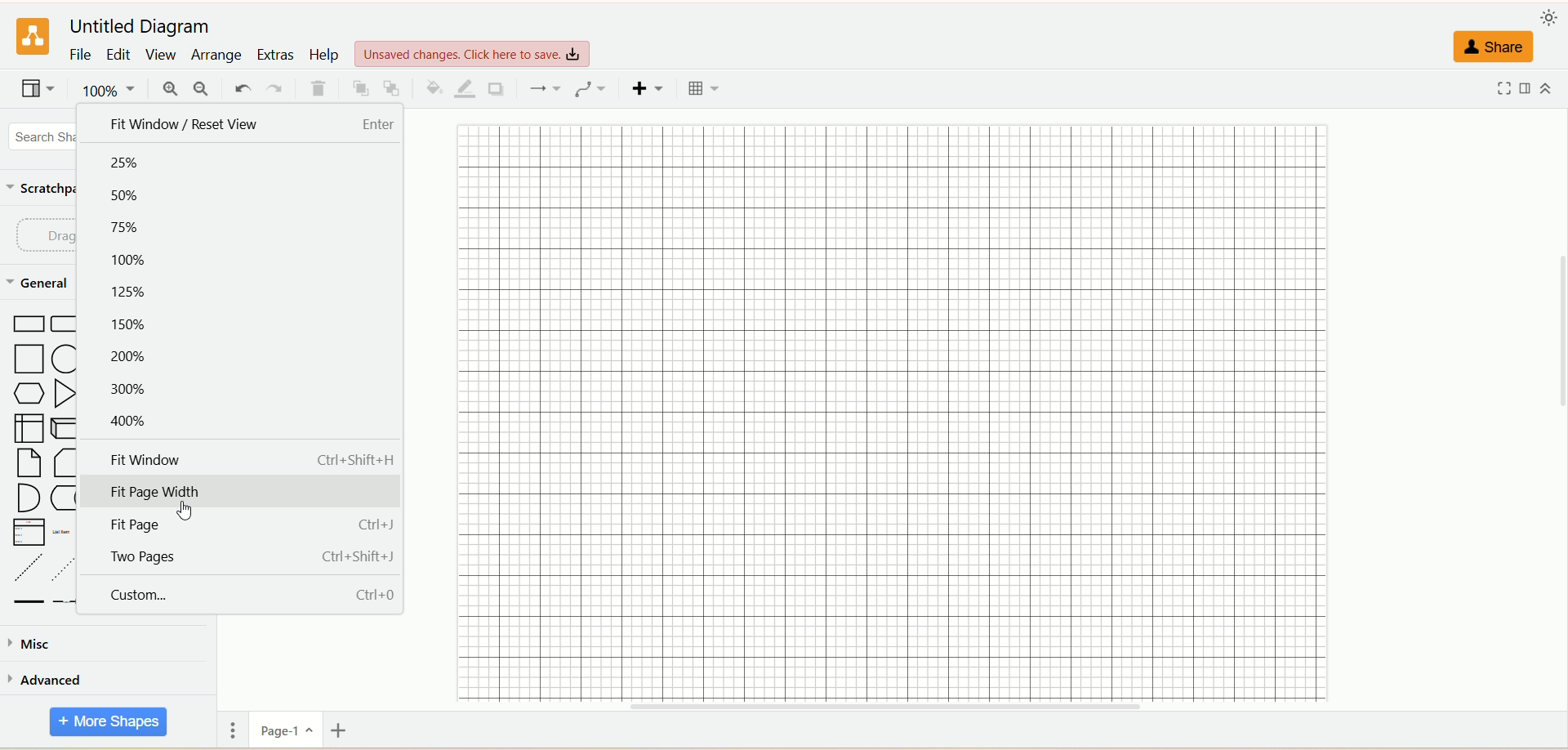 The image size is (1568, 750). What do you see at coordinates (1493, 47) in the screenshot?
I see `share` at bounding box center [1493, 47].